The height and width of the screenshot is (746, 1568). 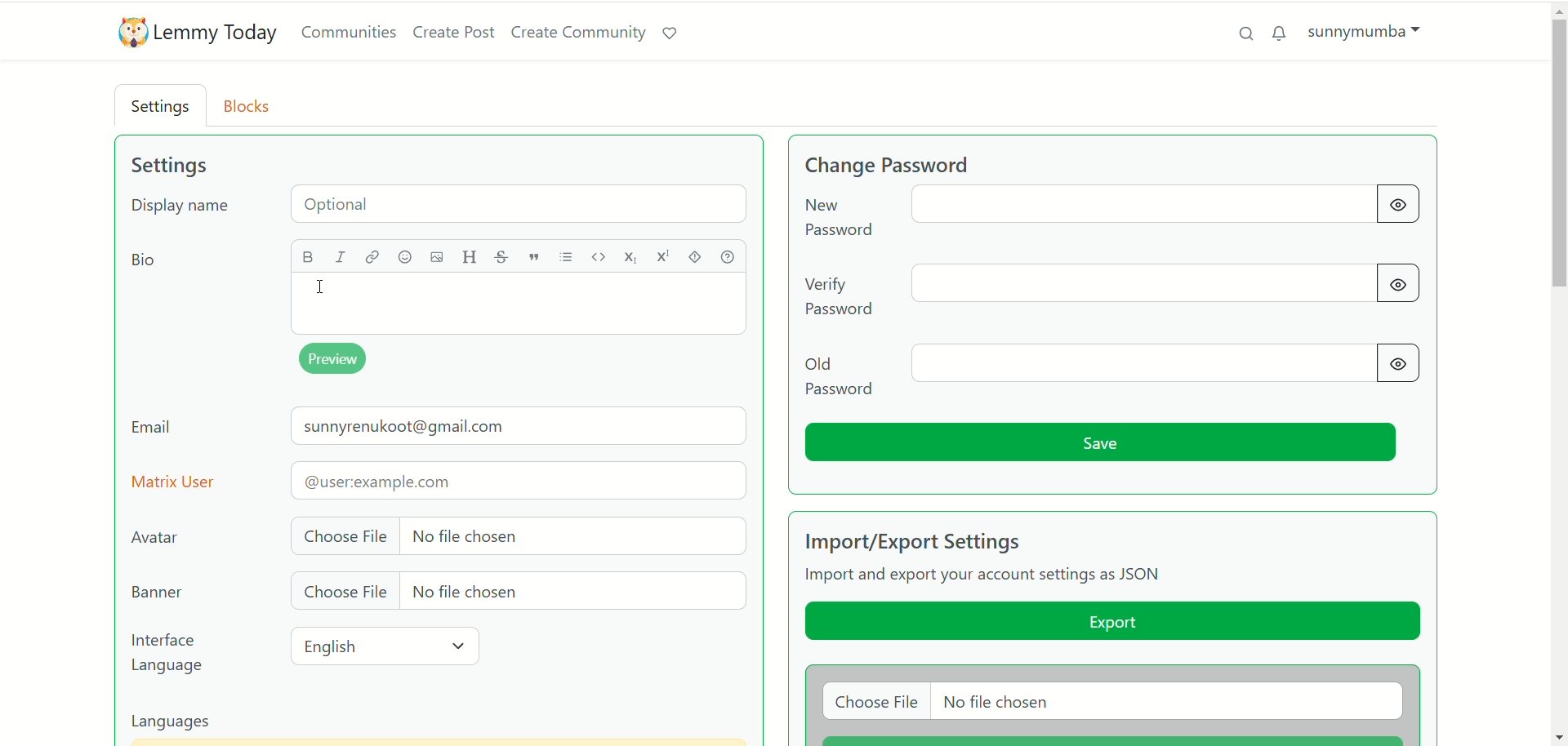 I want to click on communities, so click(x=349, y=33).